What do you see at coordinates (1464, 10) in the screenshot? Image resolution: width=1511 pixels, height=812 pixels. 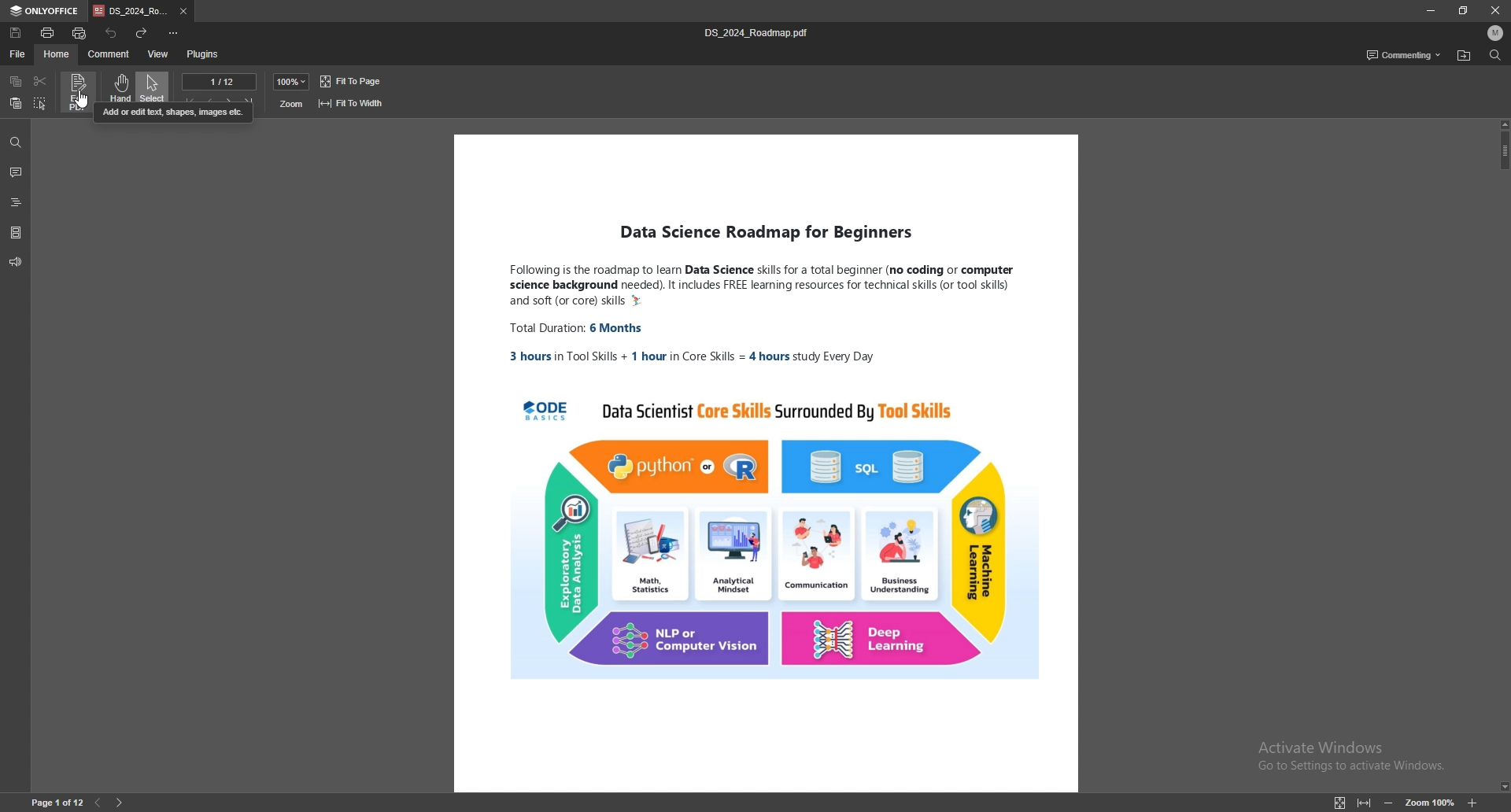 I see `resize` at bounding box center [1464, 10].